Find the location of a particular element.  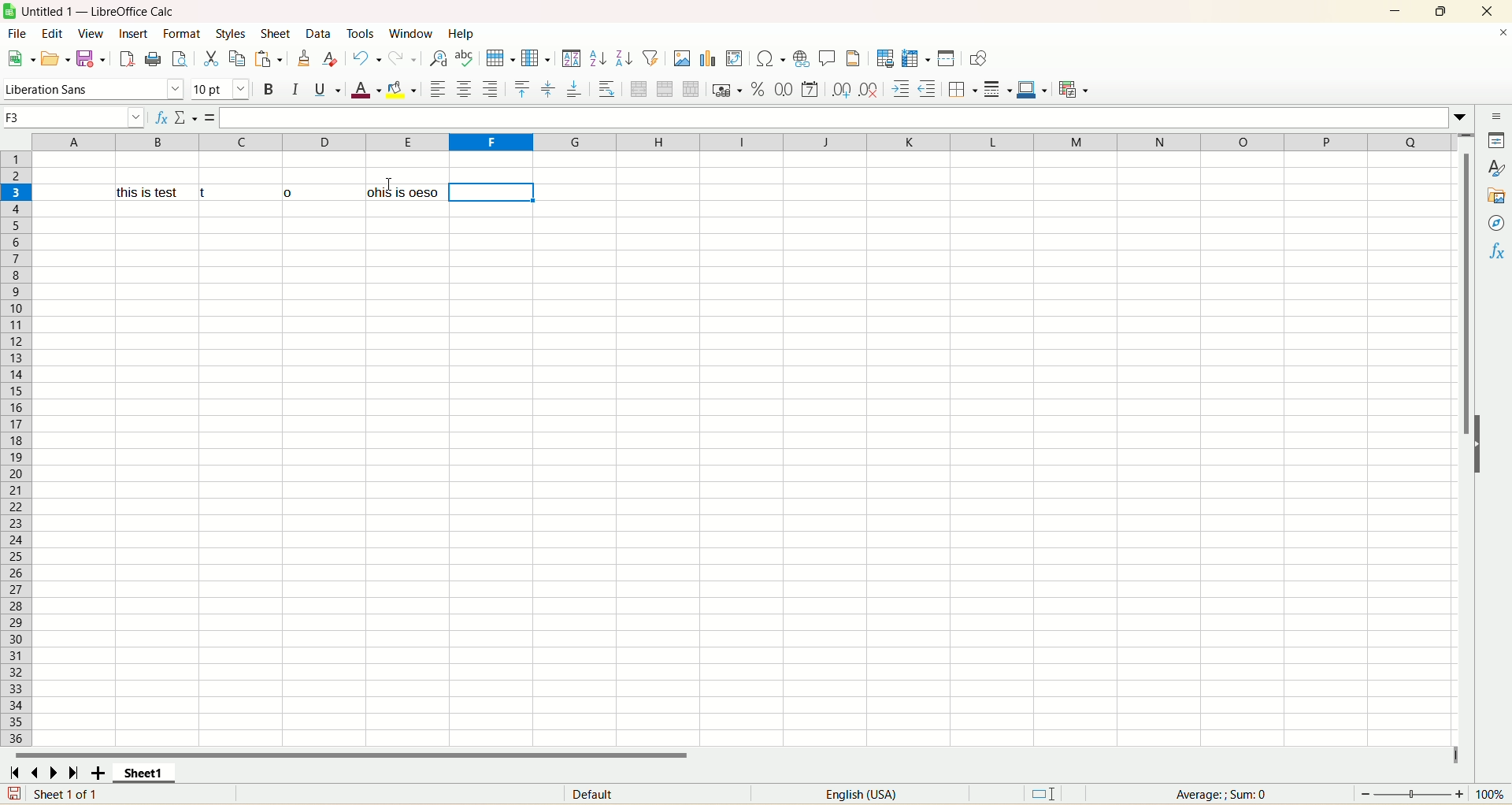

format as number is located at coordinates (785, 90).